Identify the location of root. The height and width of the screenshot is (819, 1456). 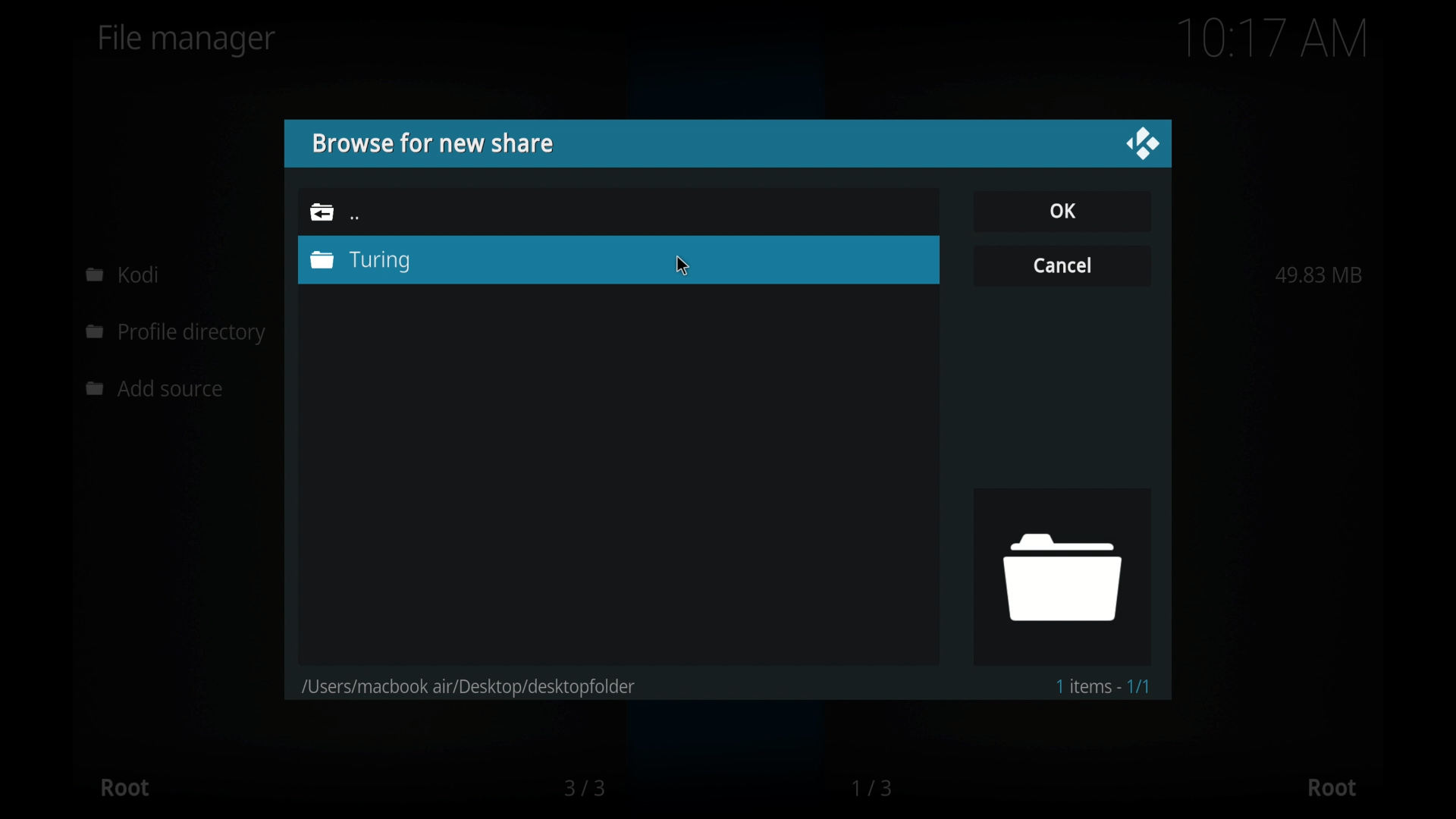
(1332, 788).